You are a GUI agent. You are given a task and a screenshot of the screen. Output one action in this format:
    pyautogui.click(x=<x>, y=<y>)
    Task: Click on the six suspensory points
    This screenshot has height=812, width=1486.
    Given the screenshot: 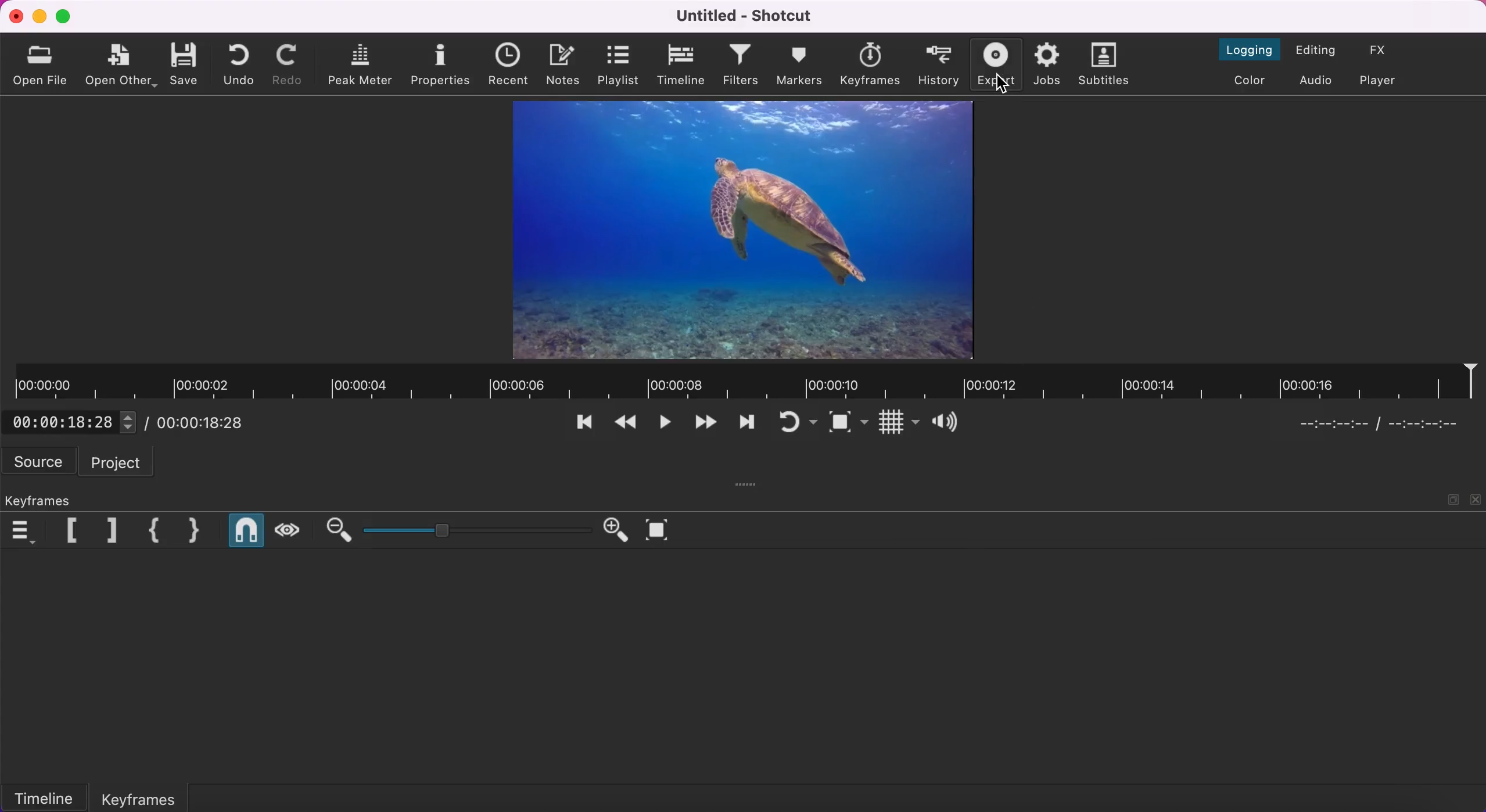 What is the action you would take?
    pyautogui.click(x=748, y=486)
    